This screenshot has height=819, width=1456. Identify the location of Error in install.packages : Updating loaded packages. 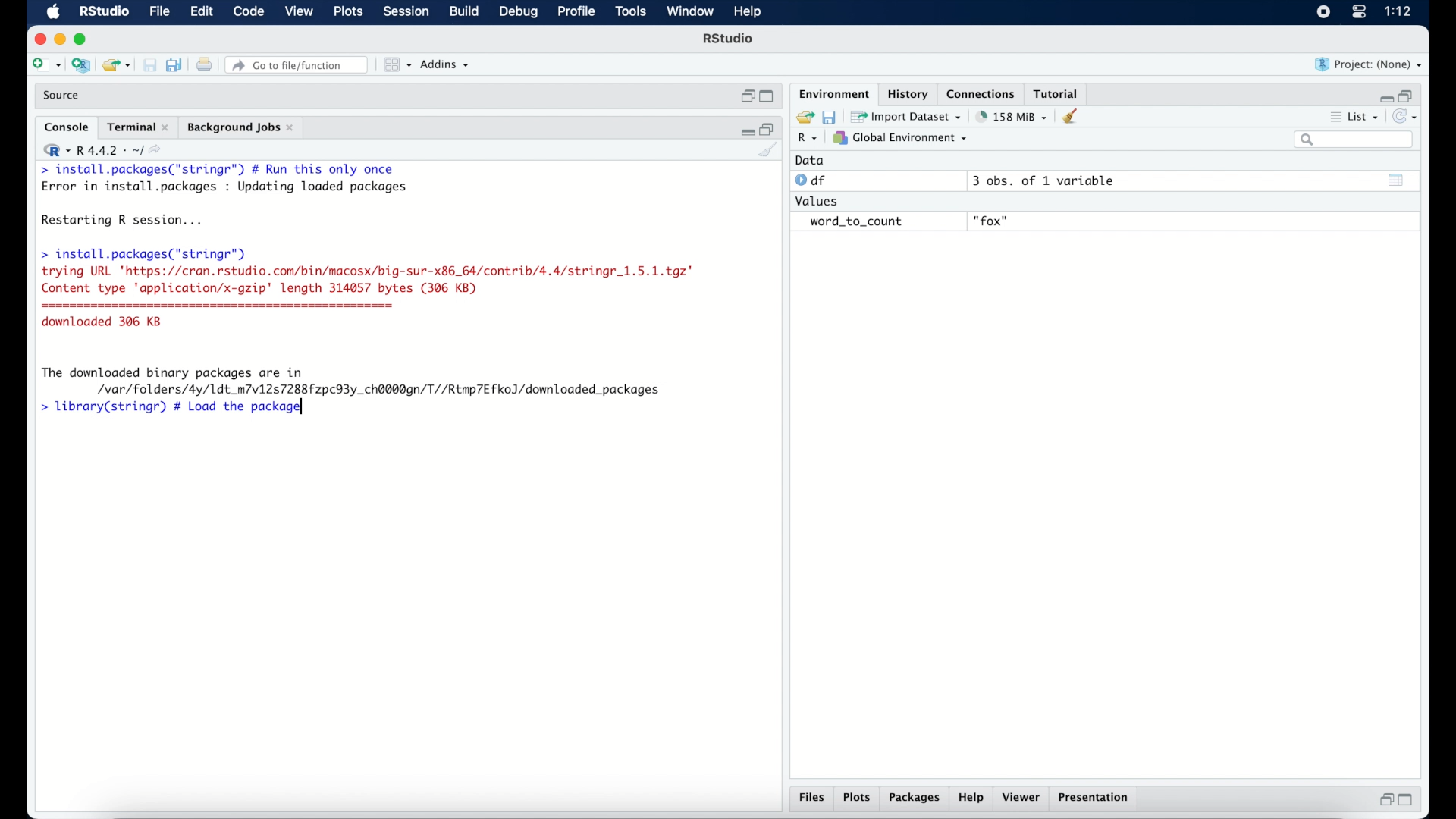
(224, 187).